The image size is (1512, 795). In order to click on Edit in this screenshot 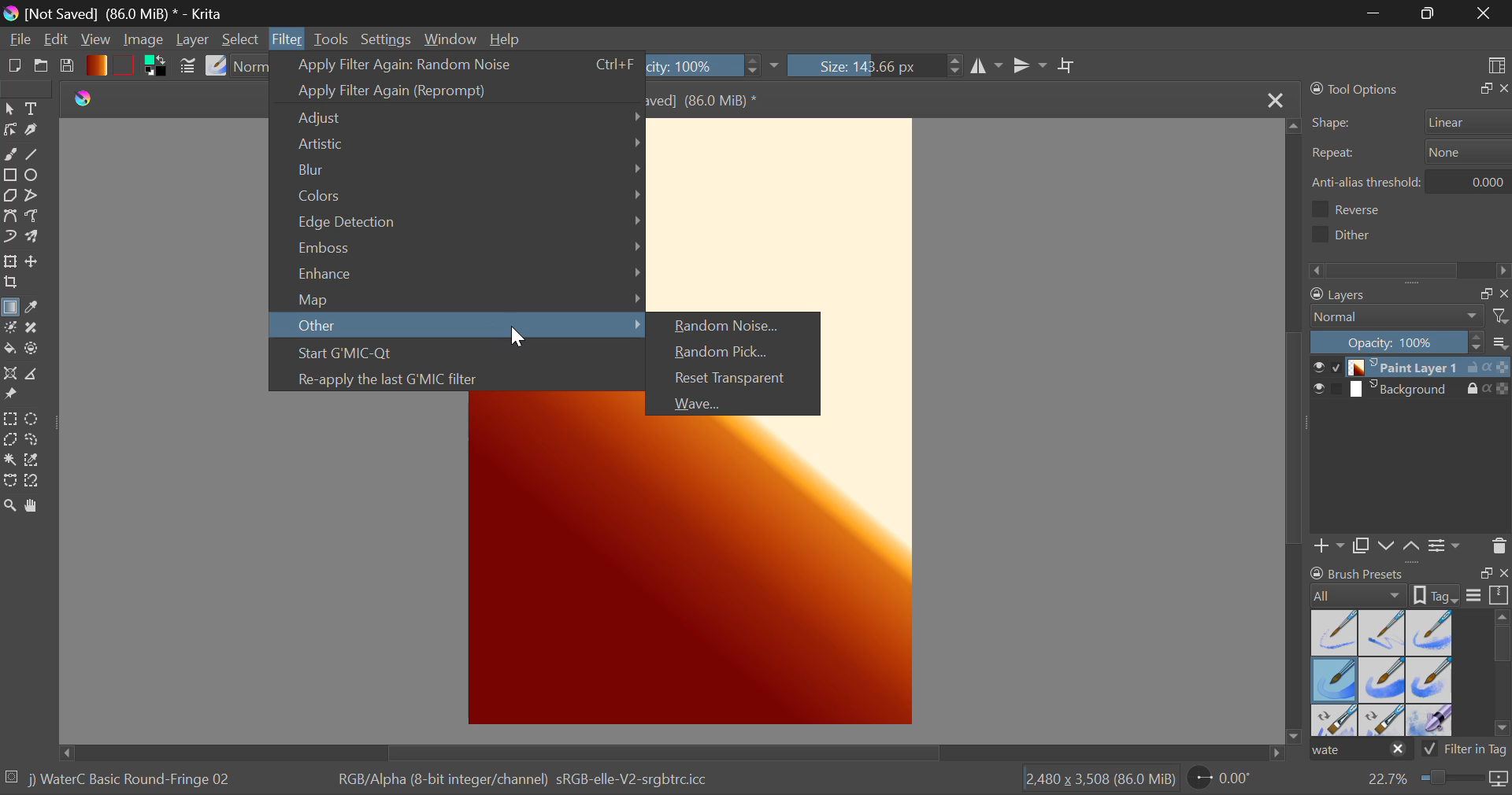, I will do `click(56, 39)`.